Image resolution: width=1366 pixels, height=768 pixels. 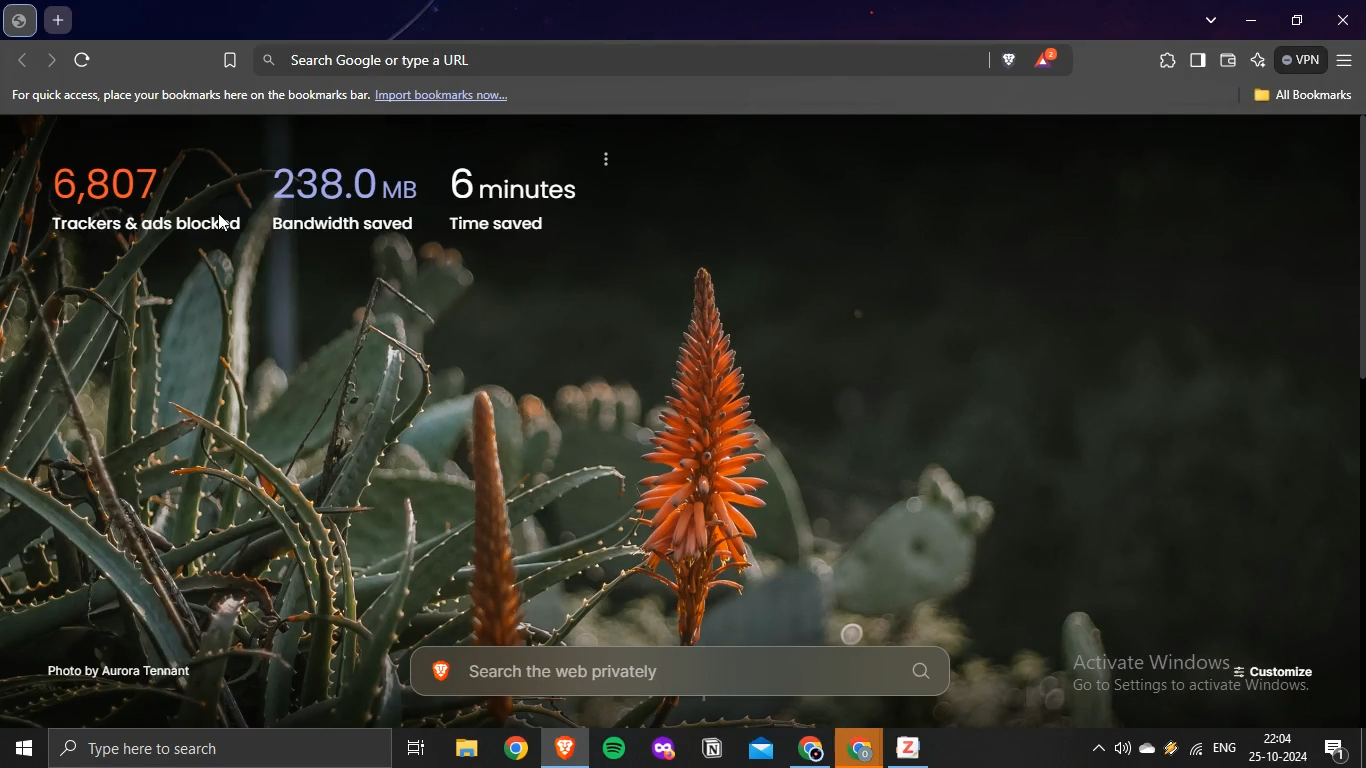 What do you see at coordinates (1254, 19) in the screenshot?
I see `minimize` at bounding box center [1254, 19].